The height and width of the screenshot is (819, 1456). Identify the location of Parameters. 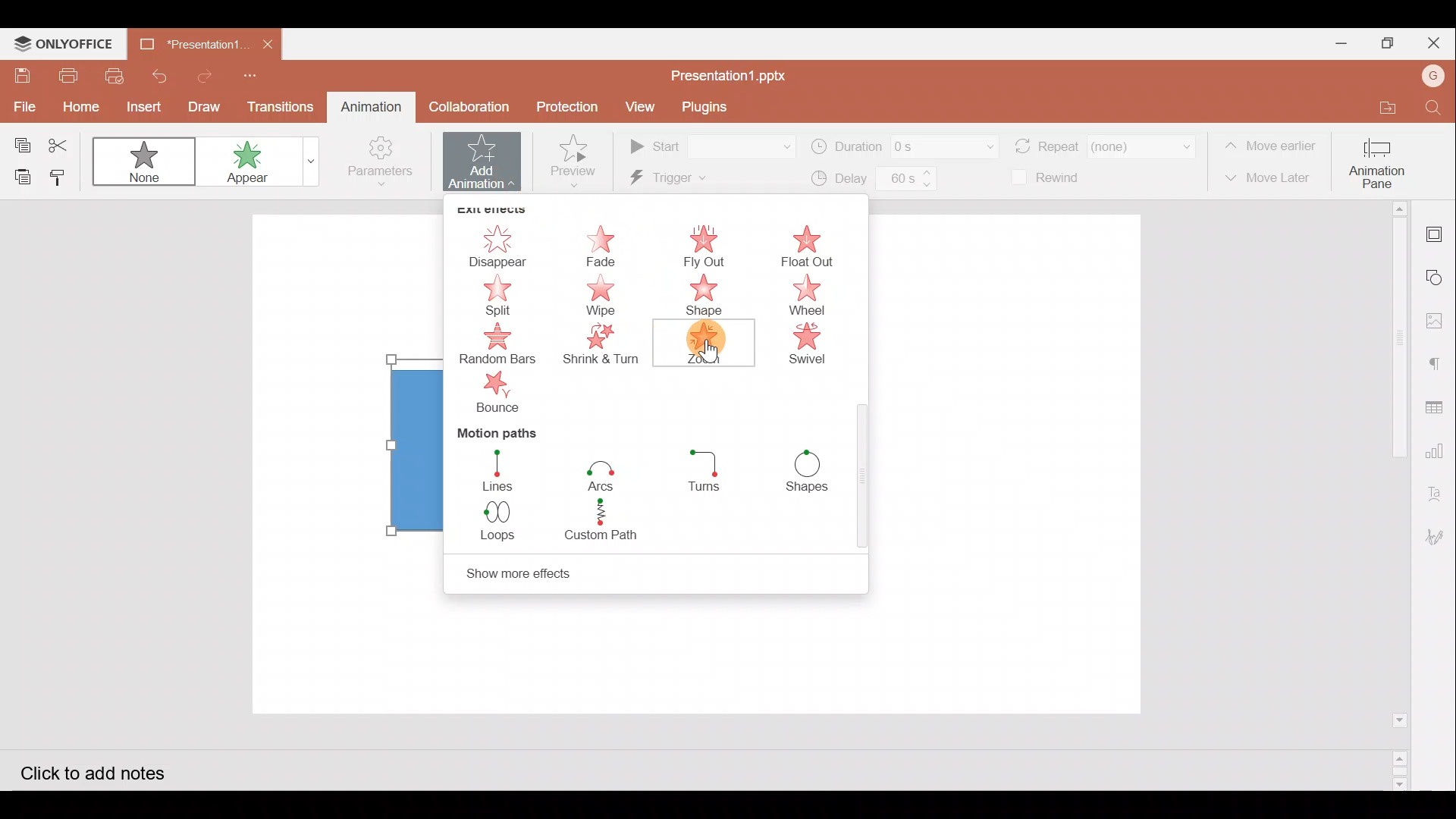
(378, 165).